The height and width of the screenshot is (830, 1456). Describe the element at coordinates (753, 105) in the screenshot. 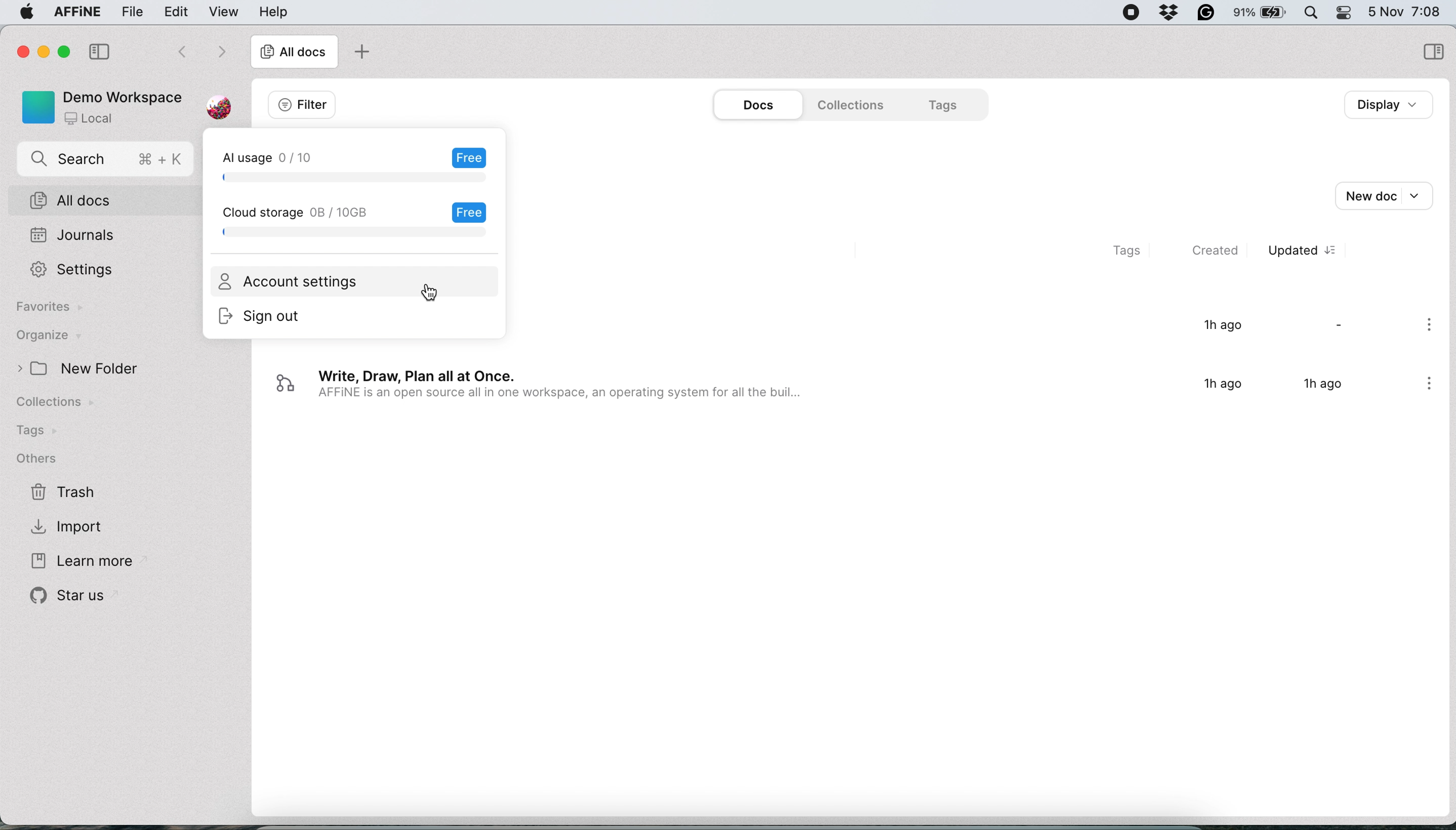

I see `docs` at that location.